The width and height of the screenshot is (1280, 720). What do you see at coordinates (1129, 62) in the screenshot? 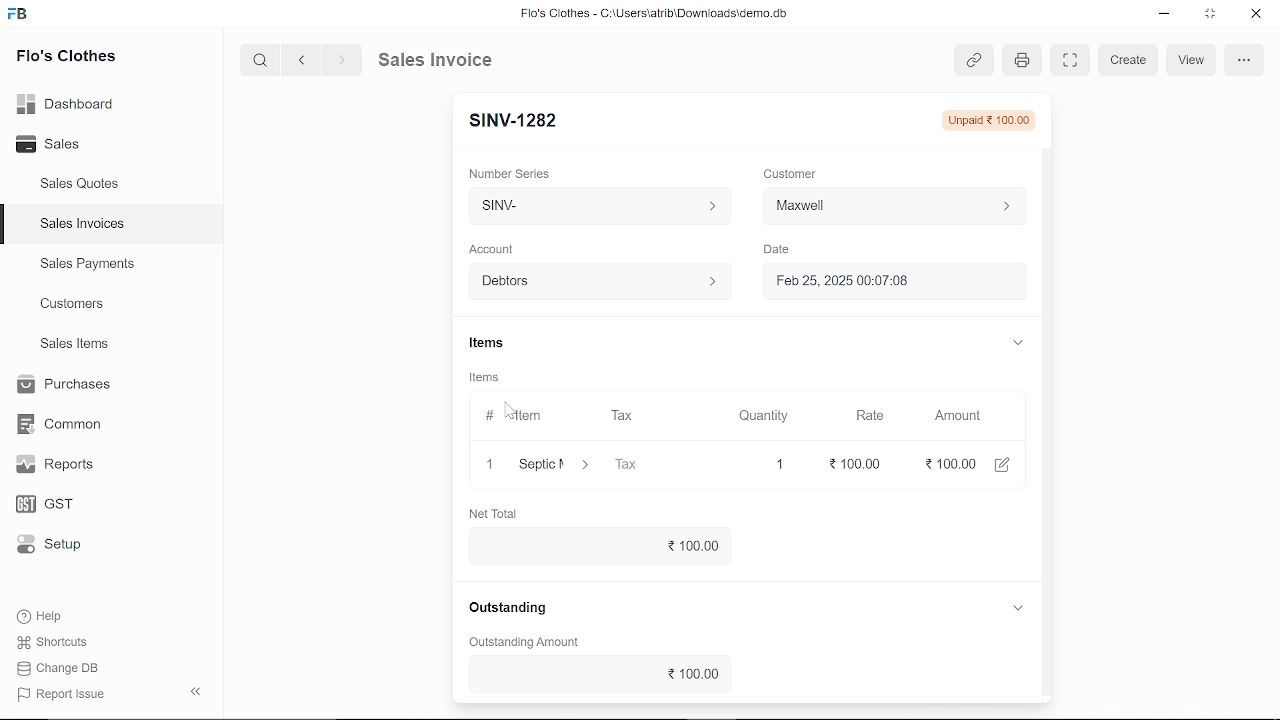
I see `create` at bounding box center [1129, 62].